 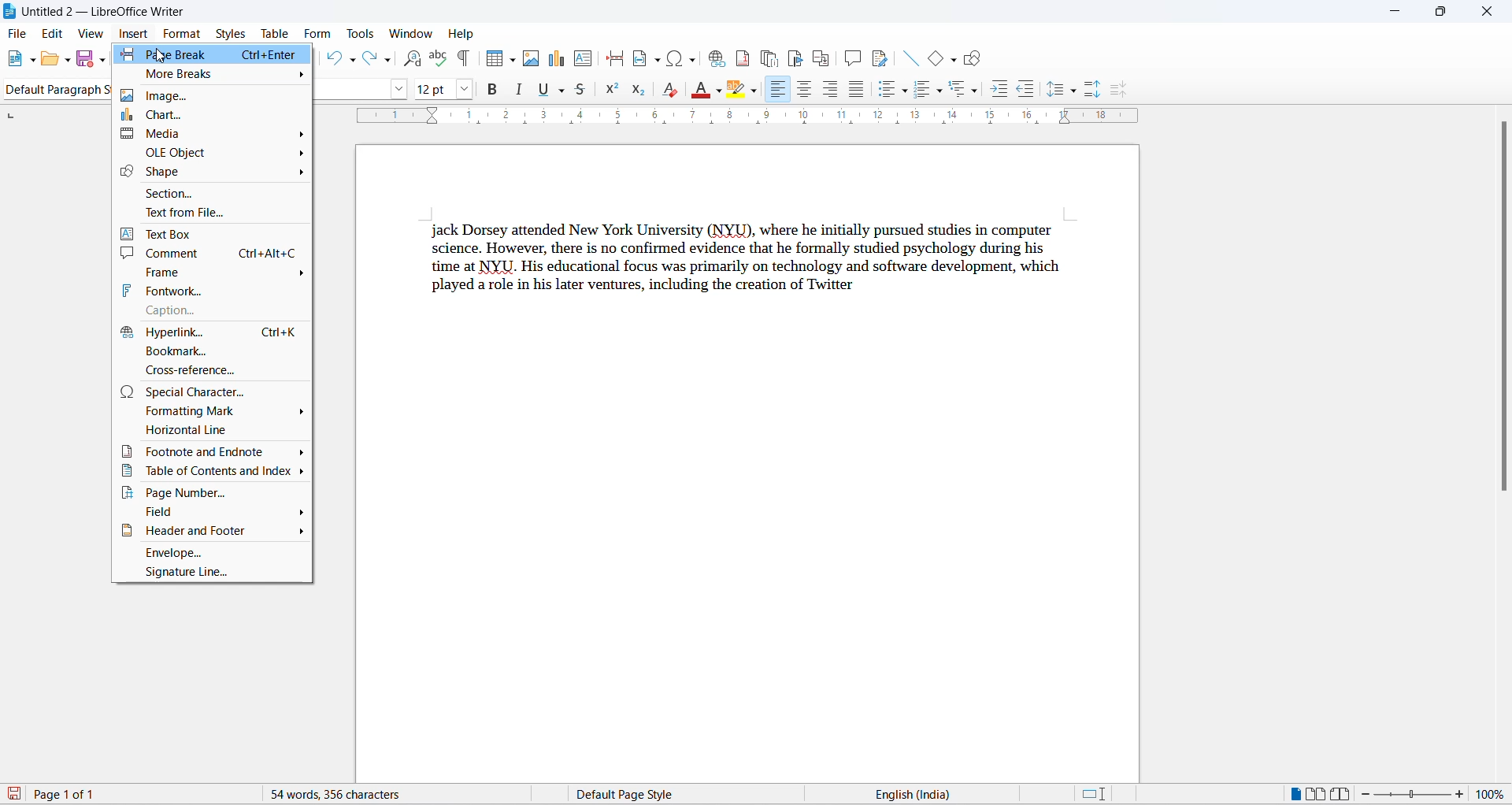 I want to click on LibreOffice Icon, so click(x=9, y=12).